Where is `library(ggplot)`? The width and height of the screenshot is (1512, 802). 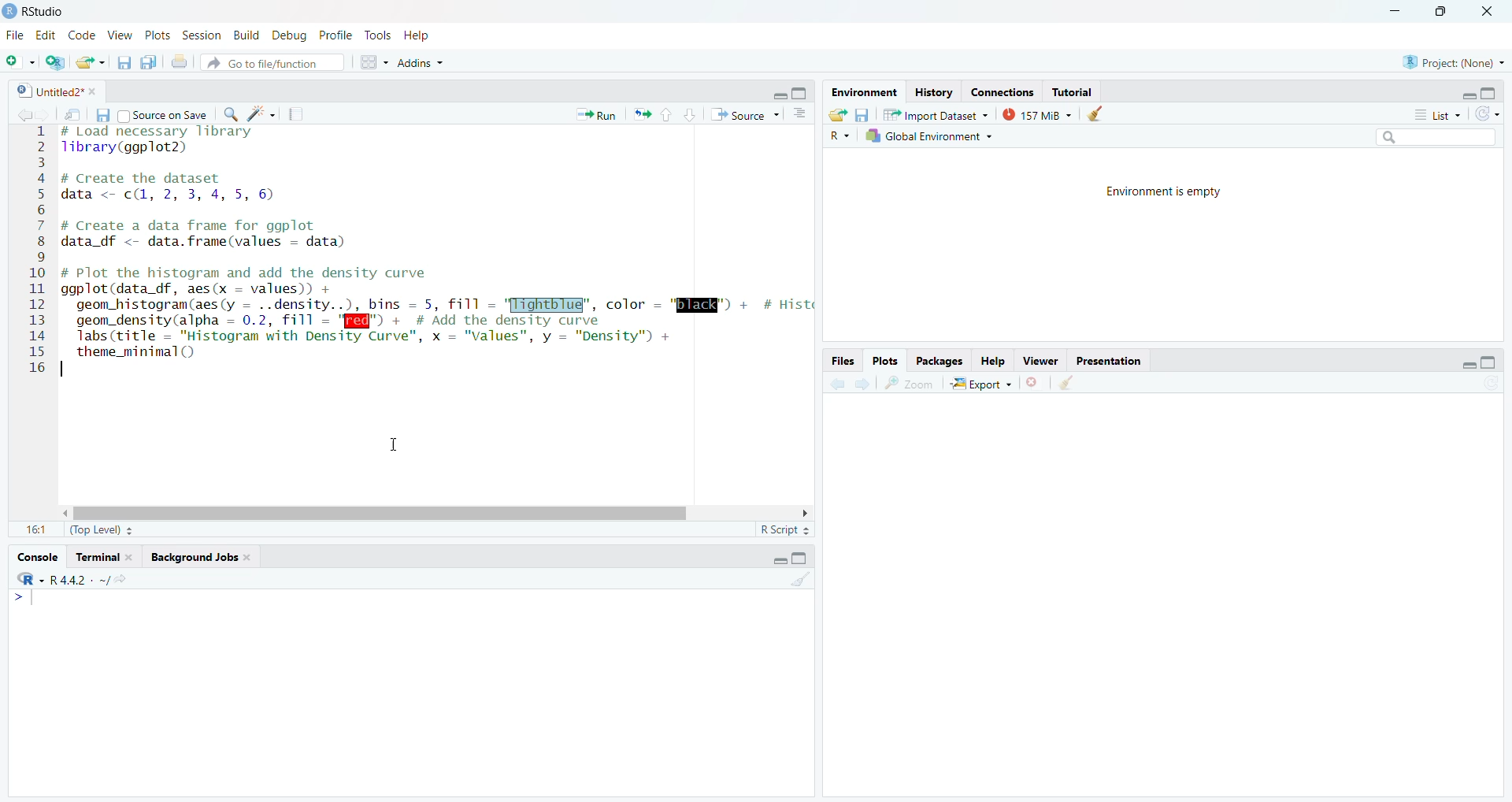 library(ggplot) is located at coordinates (124, 147).